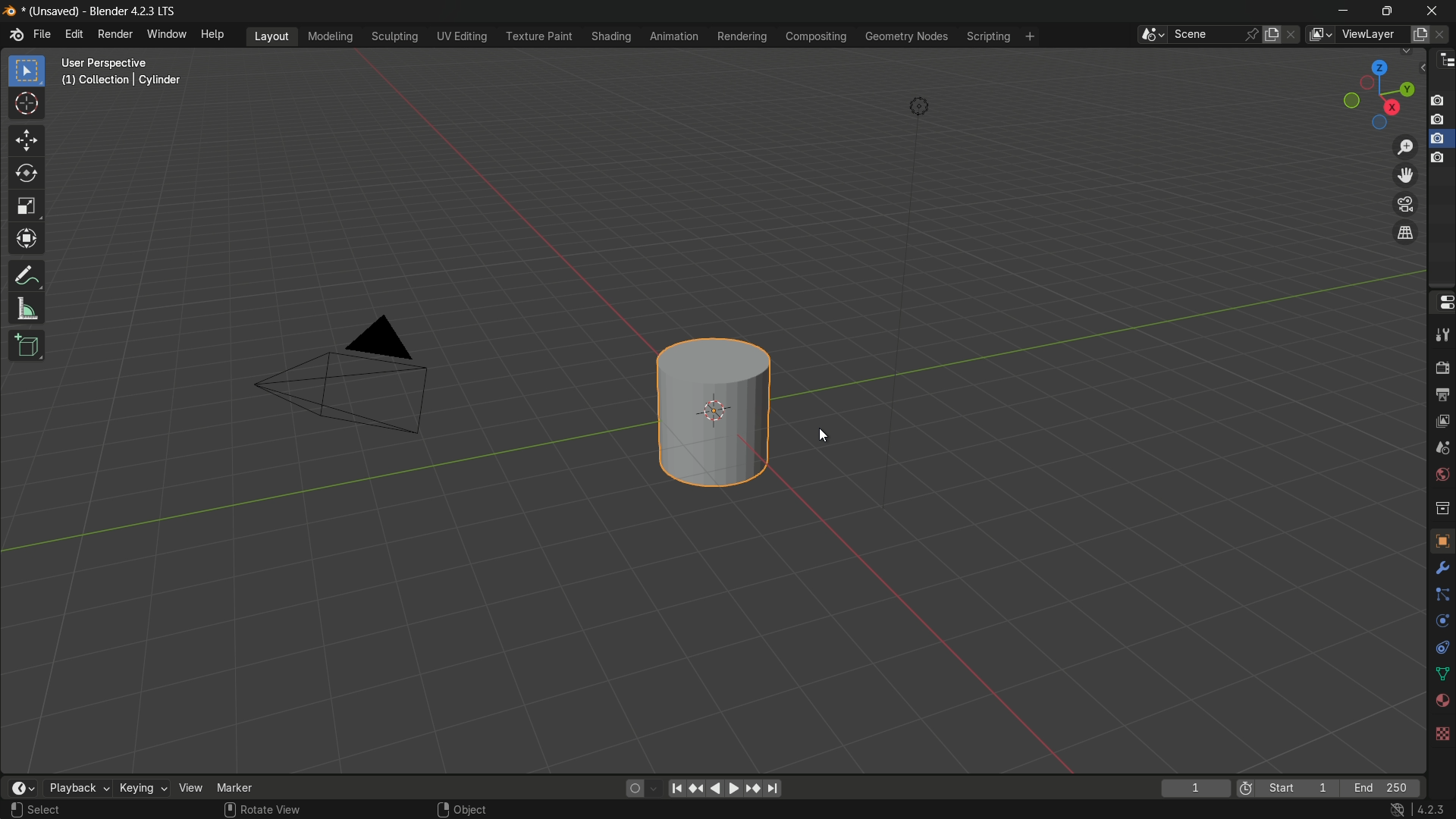 The image size is (1456, 819). I want to click on Select, so click(48, 811).